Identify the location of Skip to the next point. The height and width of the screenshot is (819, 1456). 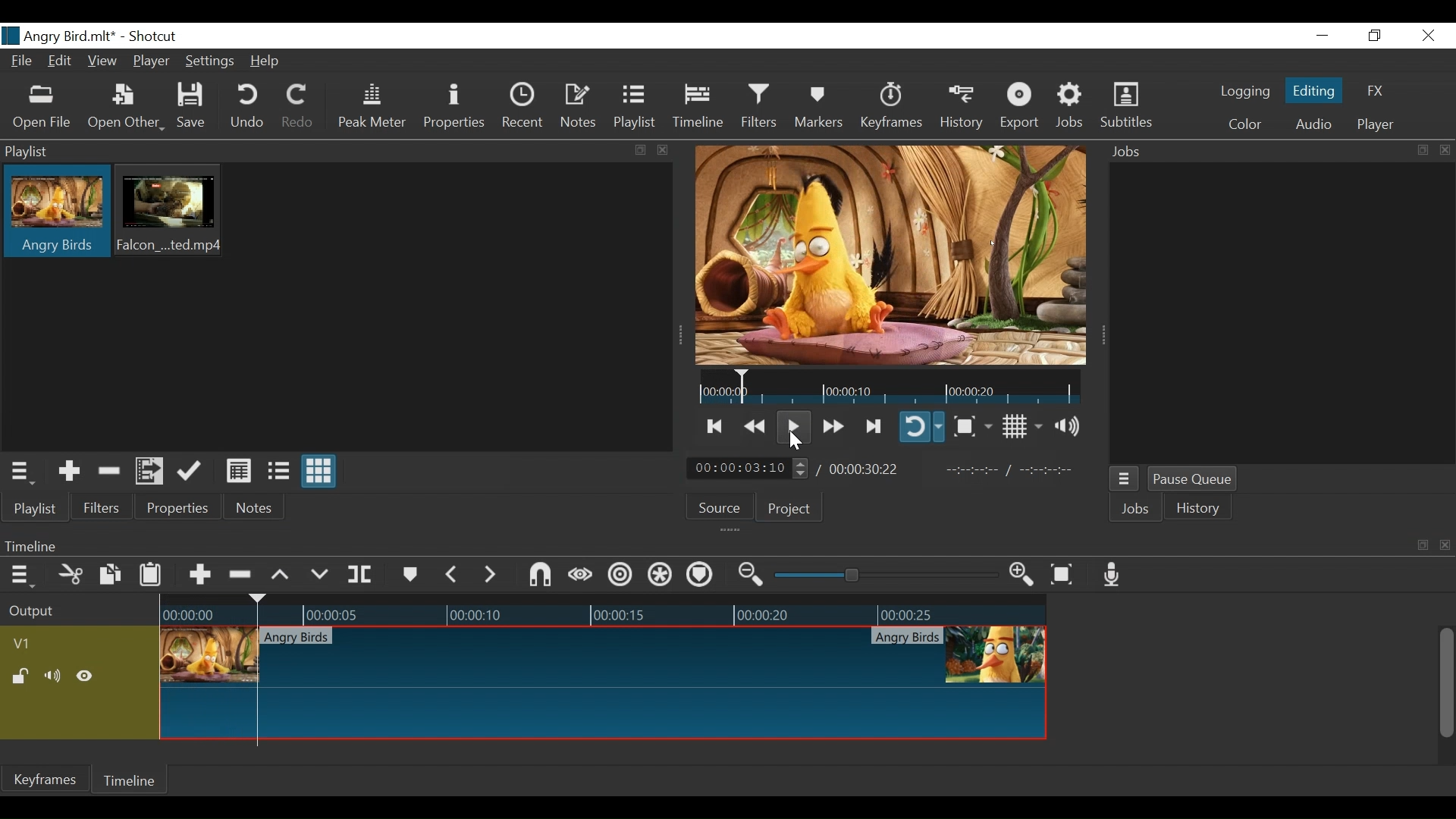
(872, 425).